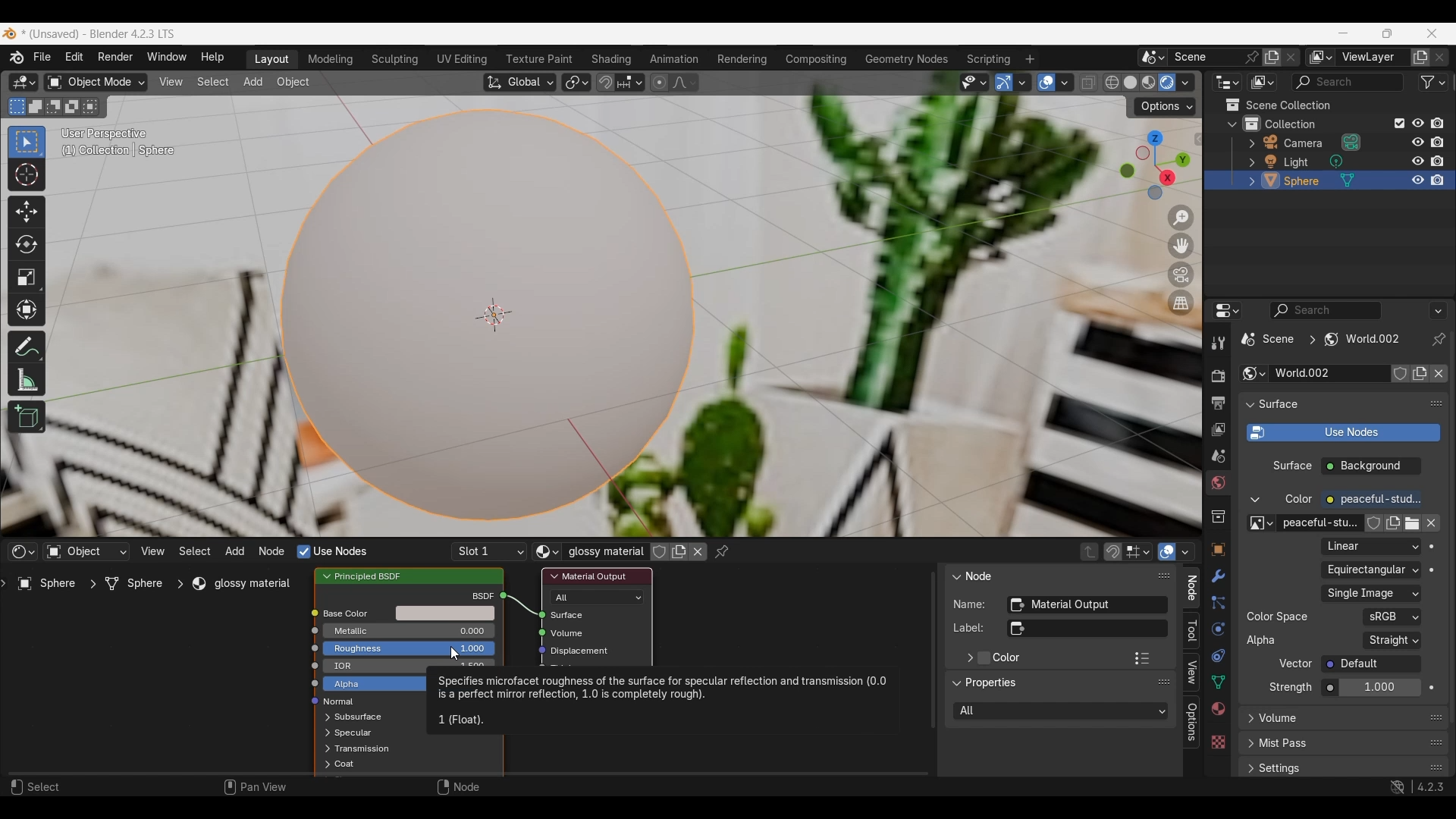  Describe the element at coordinates (1218, 628) in the screenshot. I see `Physics properties` at that location.